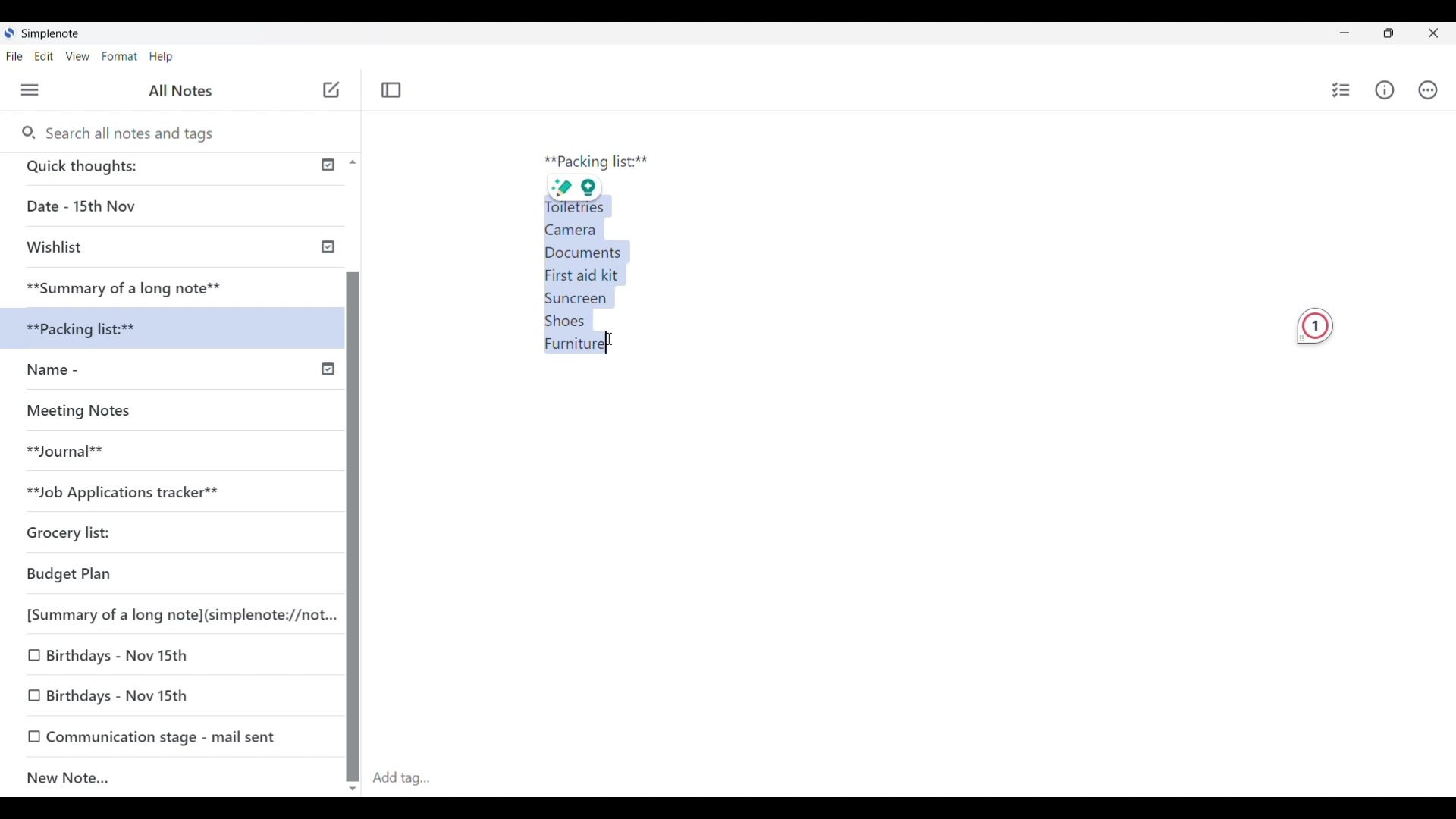  I want to click on Quick slide to top, so click(353, 162).